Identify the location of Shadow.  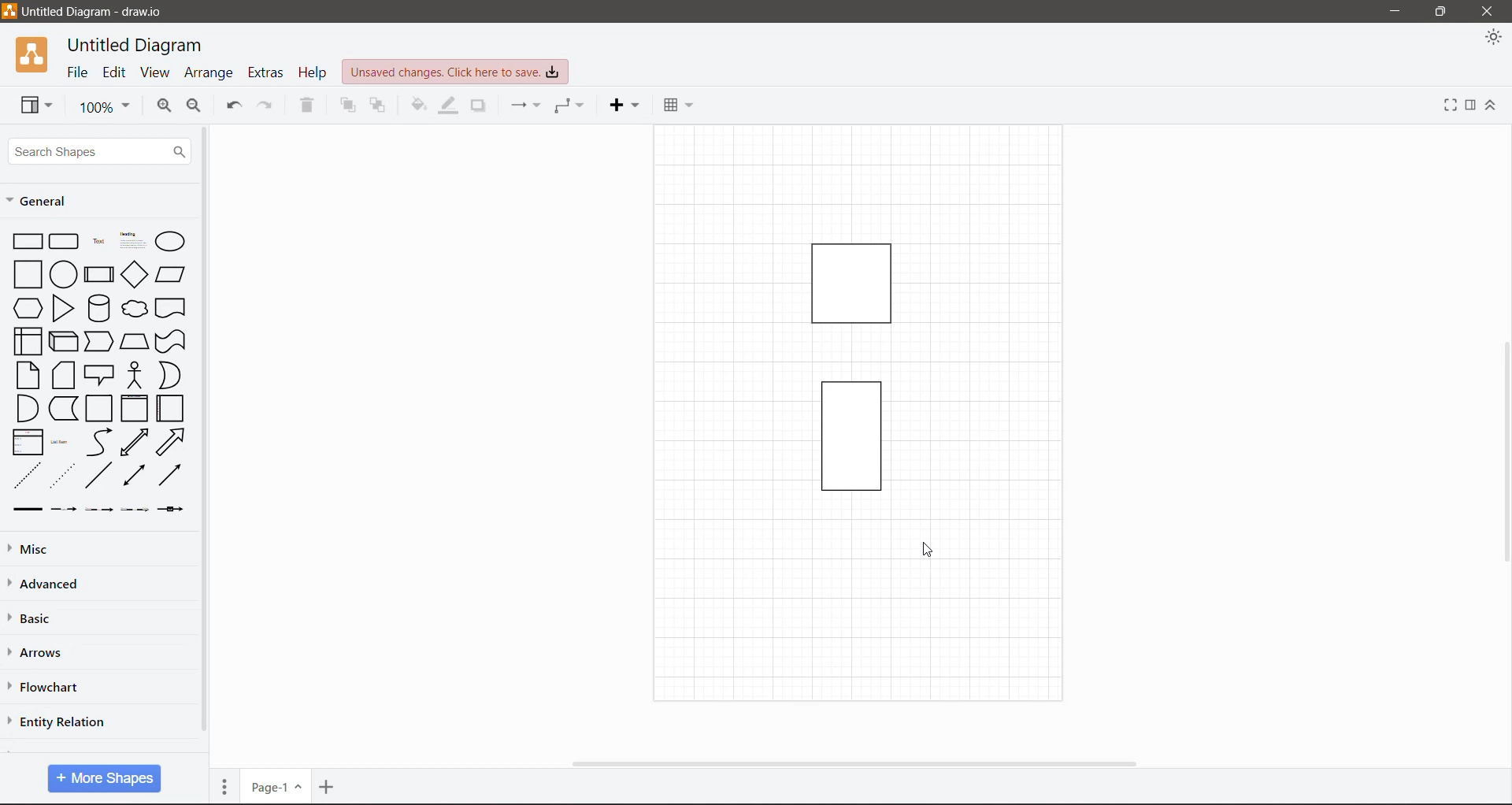
(477, 108).